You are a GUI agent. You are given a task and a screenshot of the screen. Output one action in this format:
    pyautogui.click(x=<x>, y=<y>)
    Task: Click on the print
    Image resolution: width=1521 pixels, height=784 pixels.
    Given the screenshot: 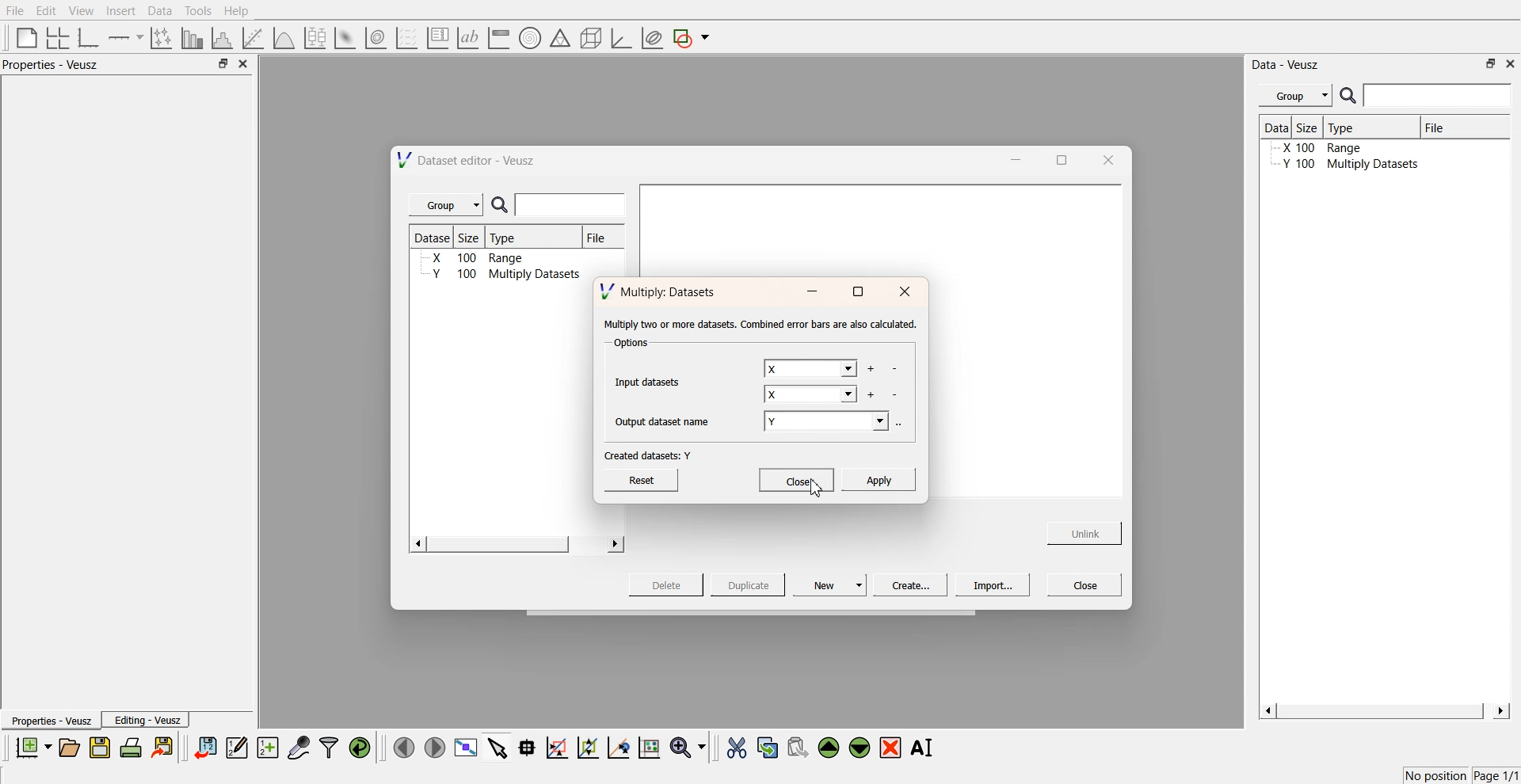 What is the action you would take?
    pyautogui.click(x=135, y=747)
    